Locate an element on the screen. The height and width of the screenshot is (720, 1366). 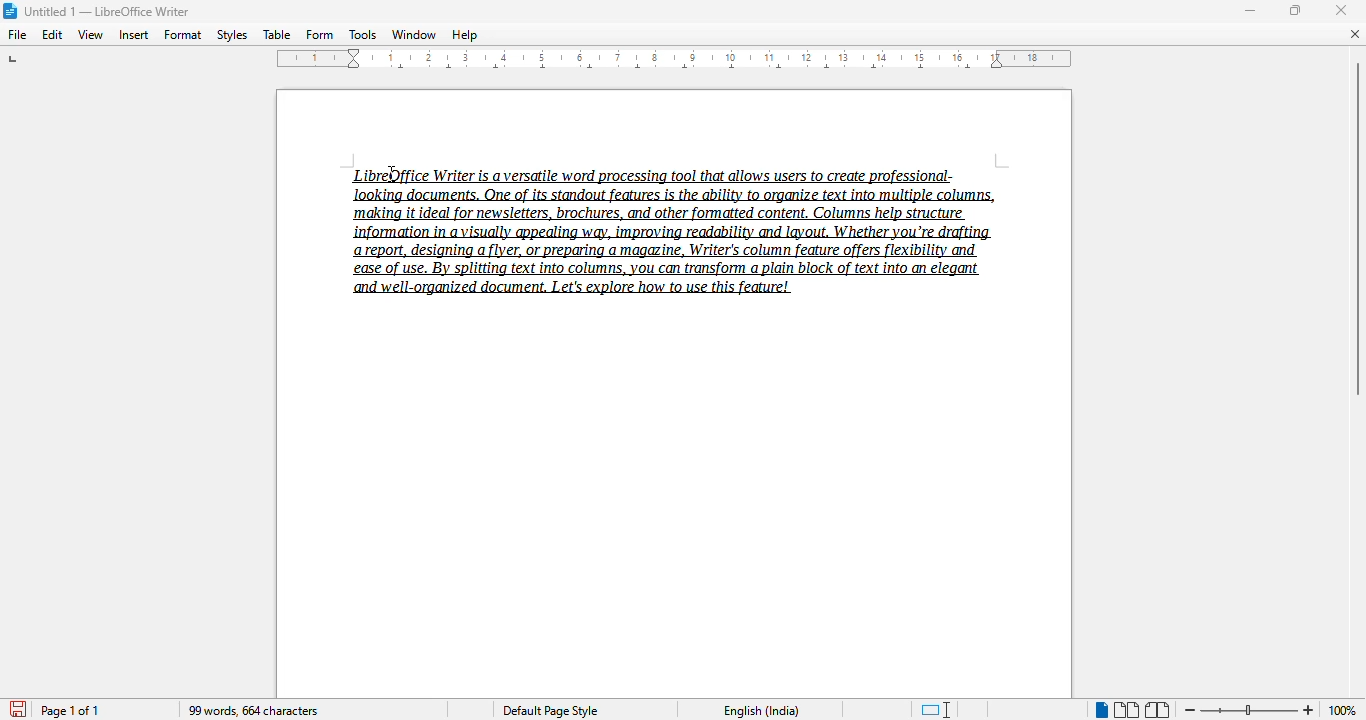
close document is located at coordinates (1356, 34).